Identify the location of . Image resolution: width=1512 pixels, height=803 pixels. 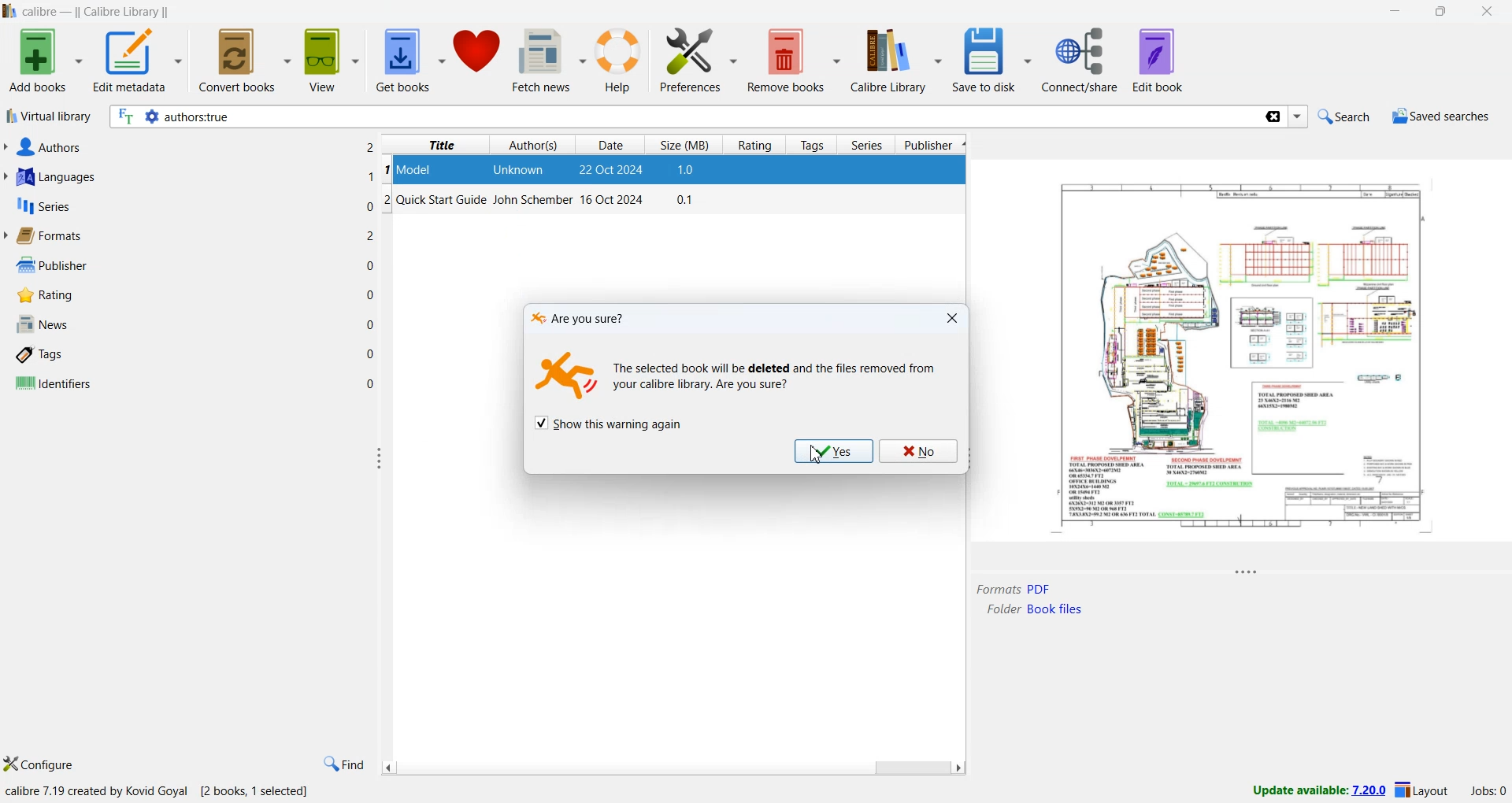
(370, 146).